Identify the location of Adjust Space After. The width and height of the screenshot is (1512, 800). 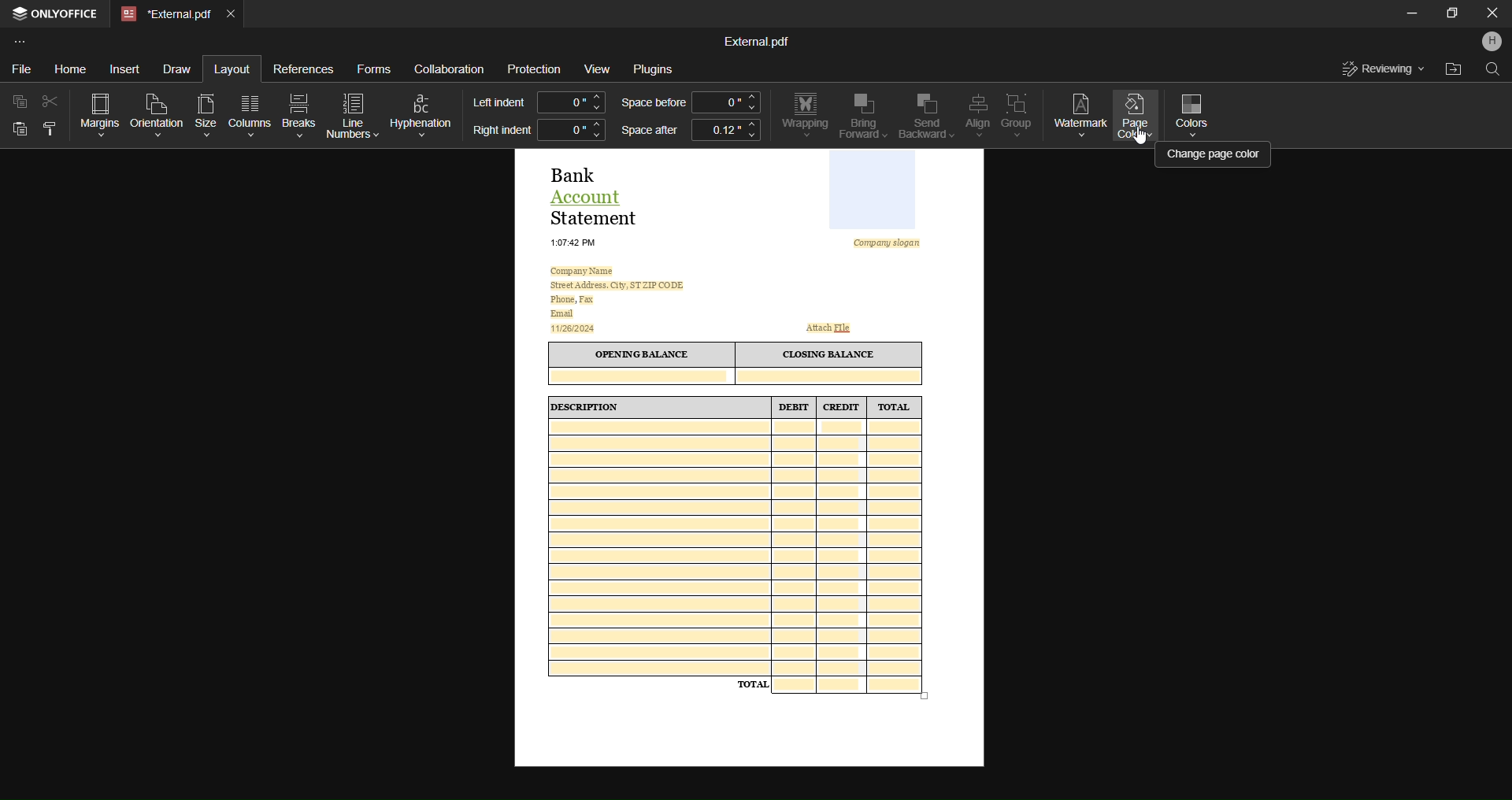
(726, 132).